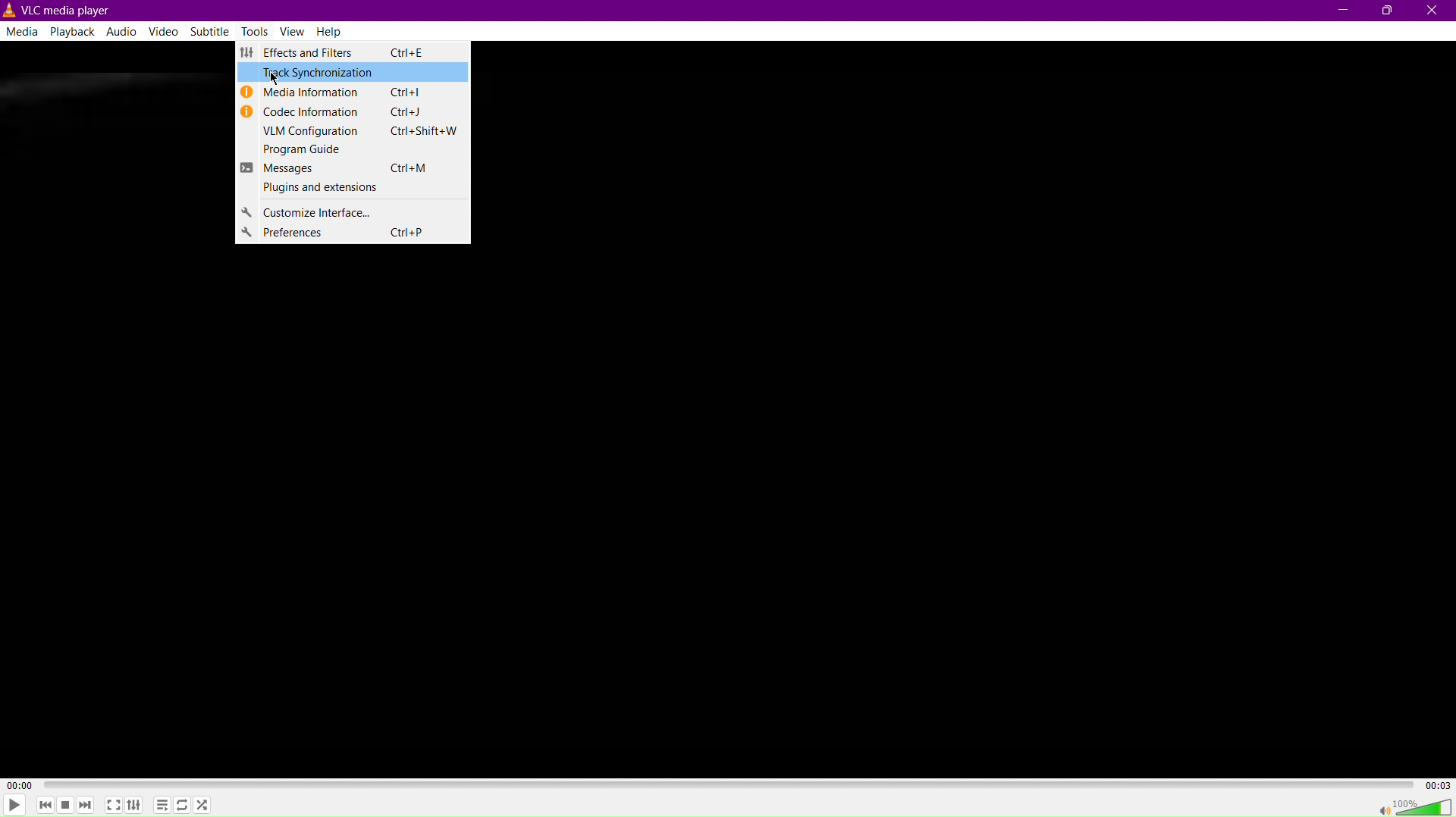  What do you see at coordinates (1389, 11) in the screenshot?
I see `Maximize` at bounding box center [1389, 11].